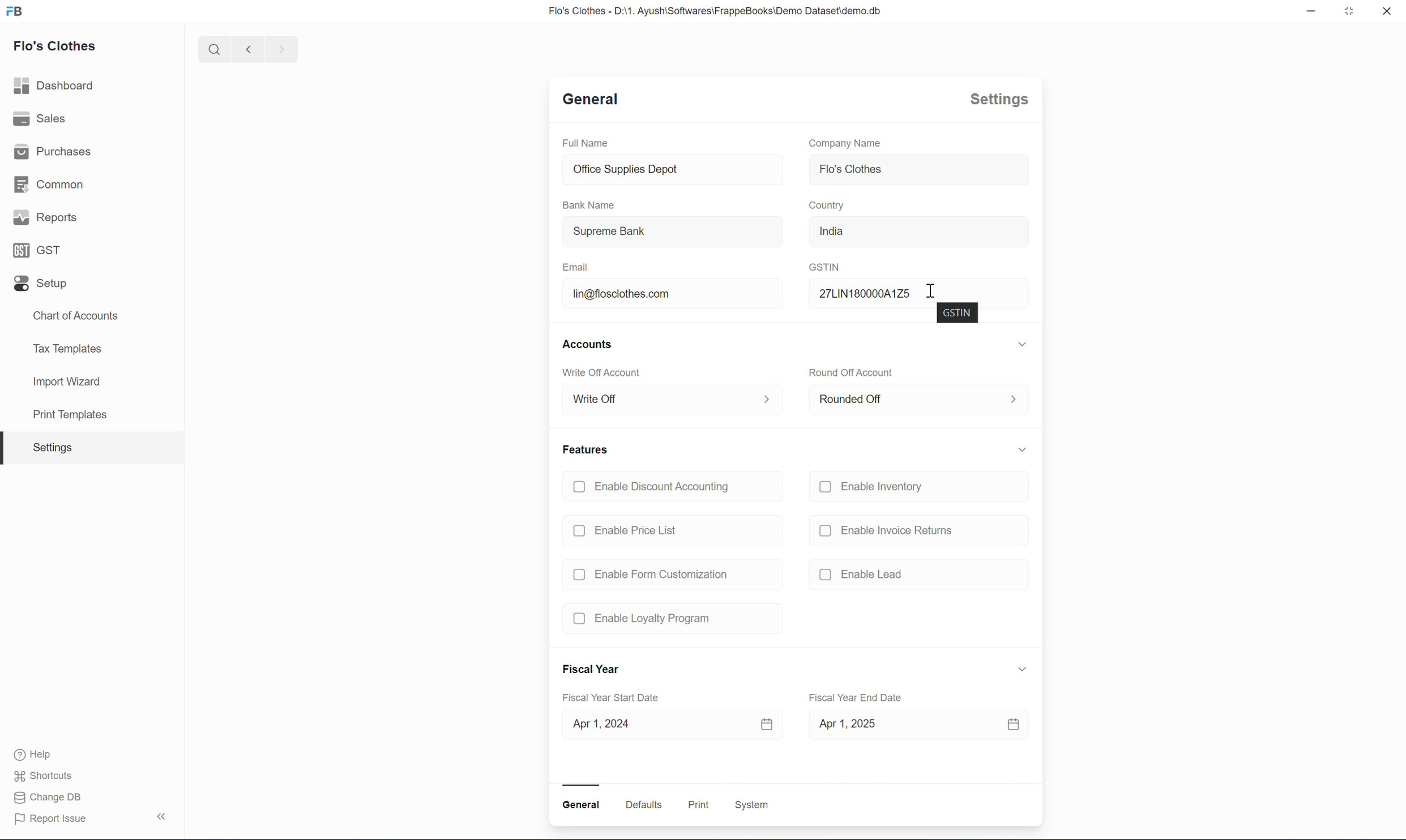 This screenshot has height=840, width=1406. I want to click on cursor, so click(931, 292).